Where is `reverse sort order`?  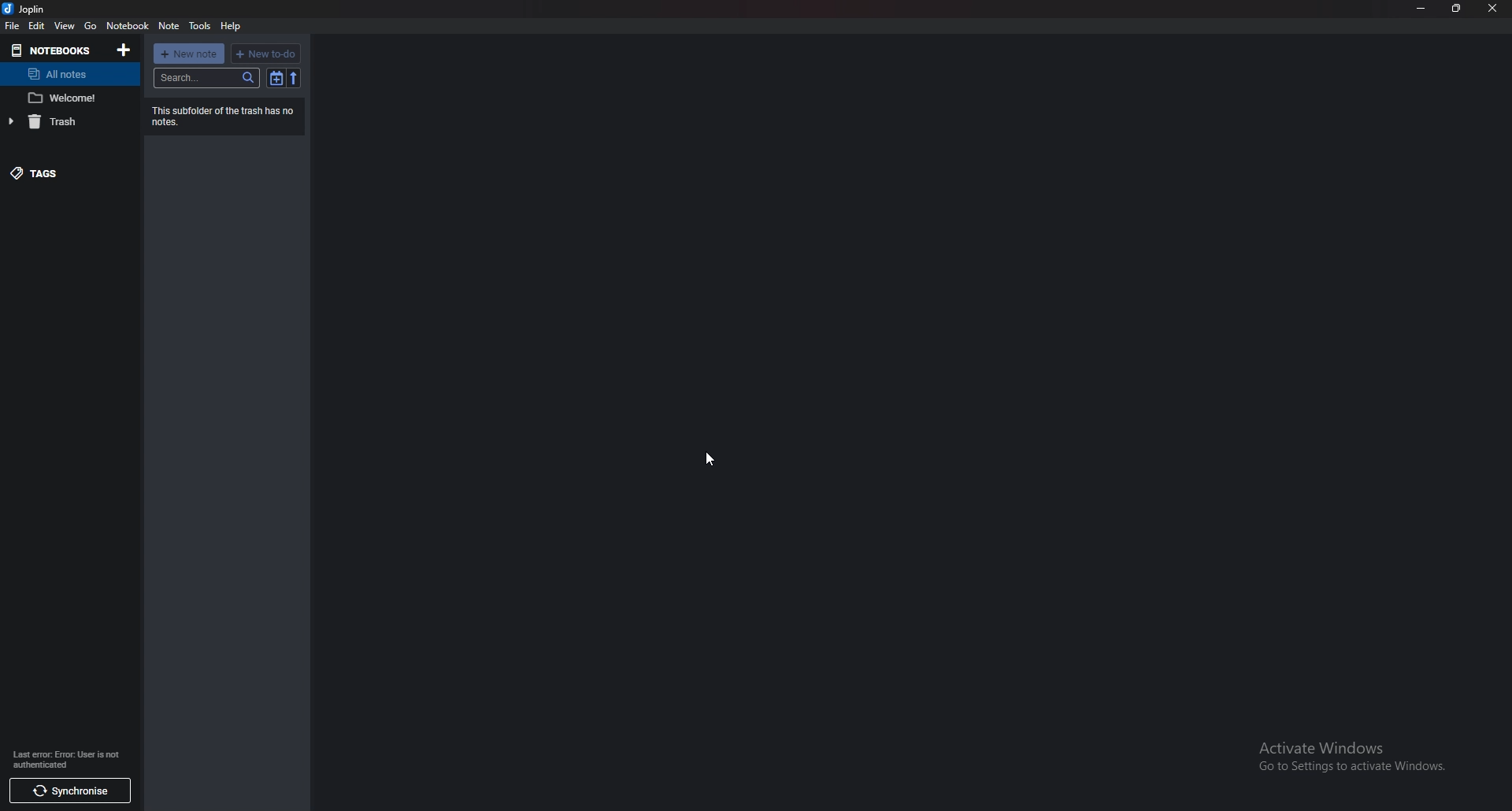
reverse sort order is located at coordinates (294, 78).